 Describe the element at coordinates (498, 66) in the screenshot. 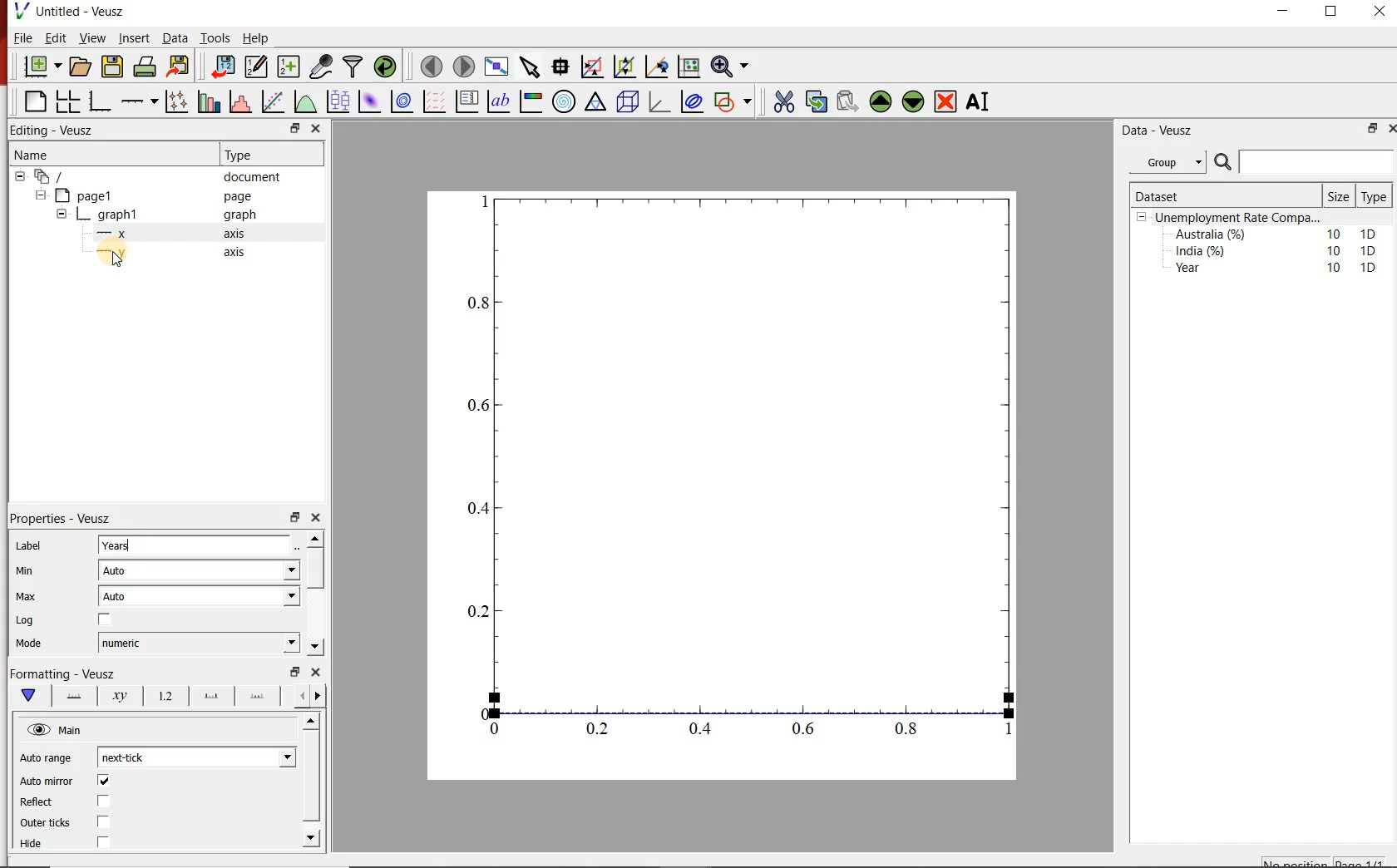

I see `view plot on full screen` at that location.